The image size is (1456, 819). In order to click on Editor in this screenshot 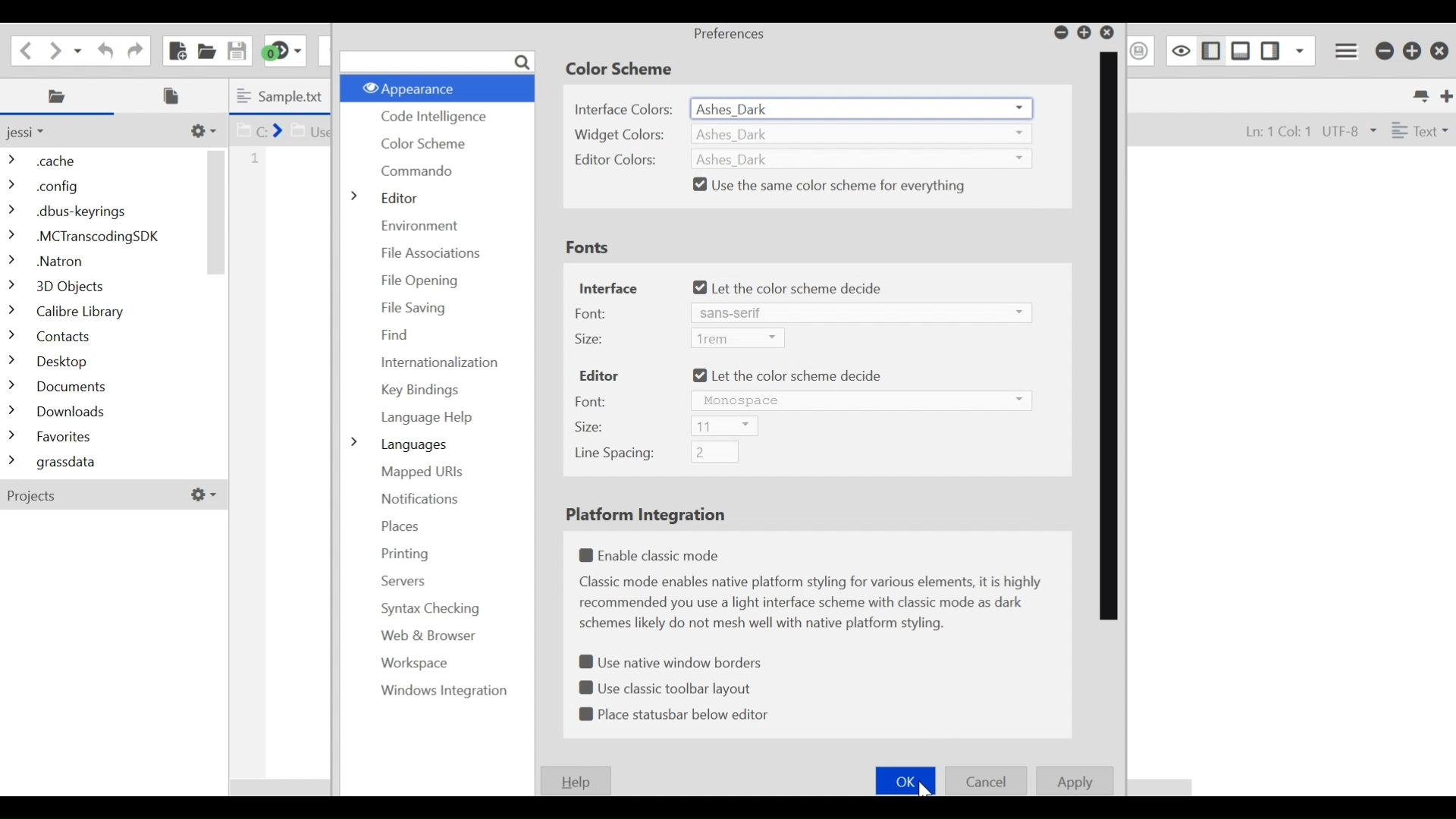, I will do `click(599, 376)`.